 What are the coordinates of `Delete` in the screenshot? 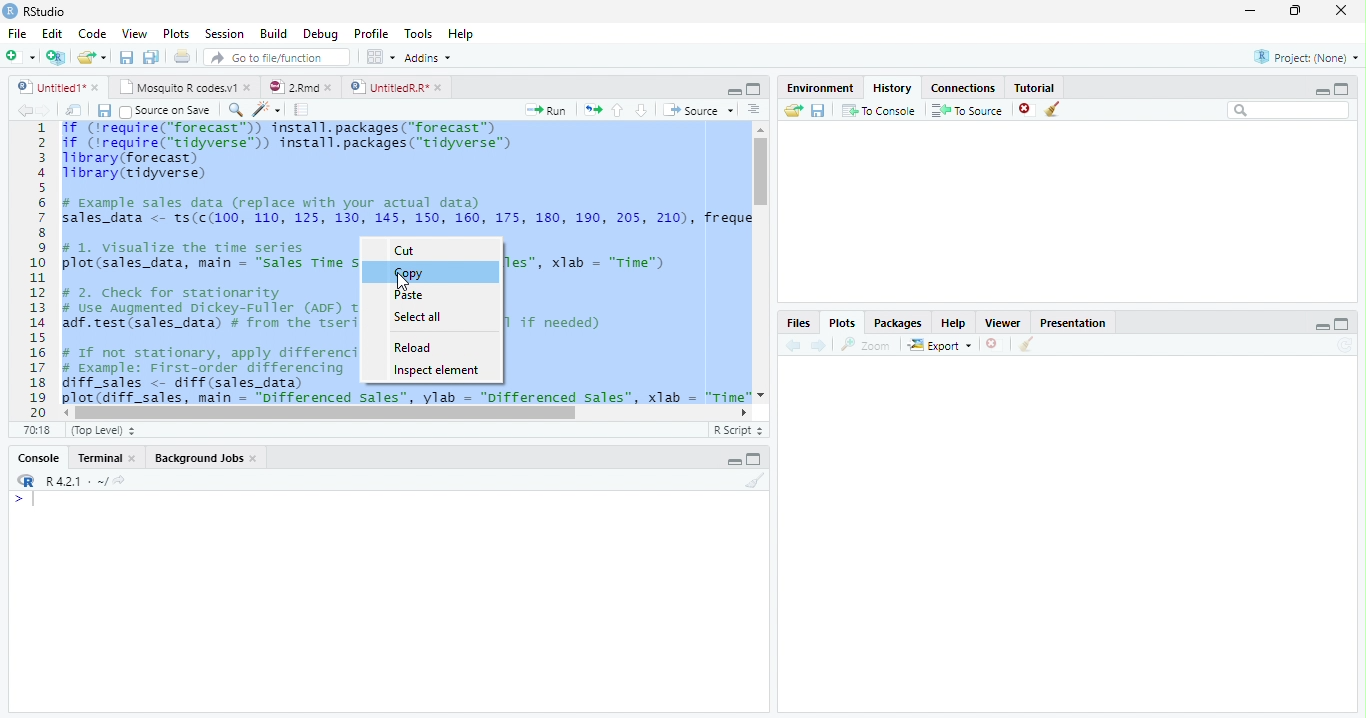 It's located at (1025, 107).